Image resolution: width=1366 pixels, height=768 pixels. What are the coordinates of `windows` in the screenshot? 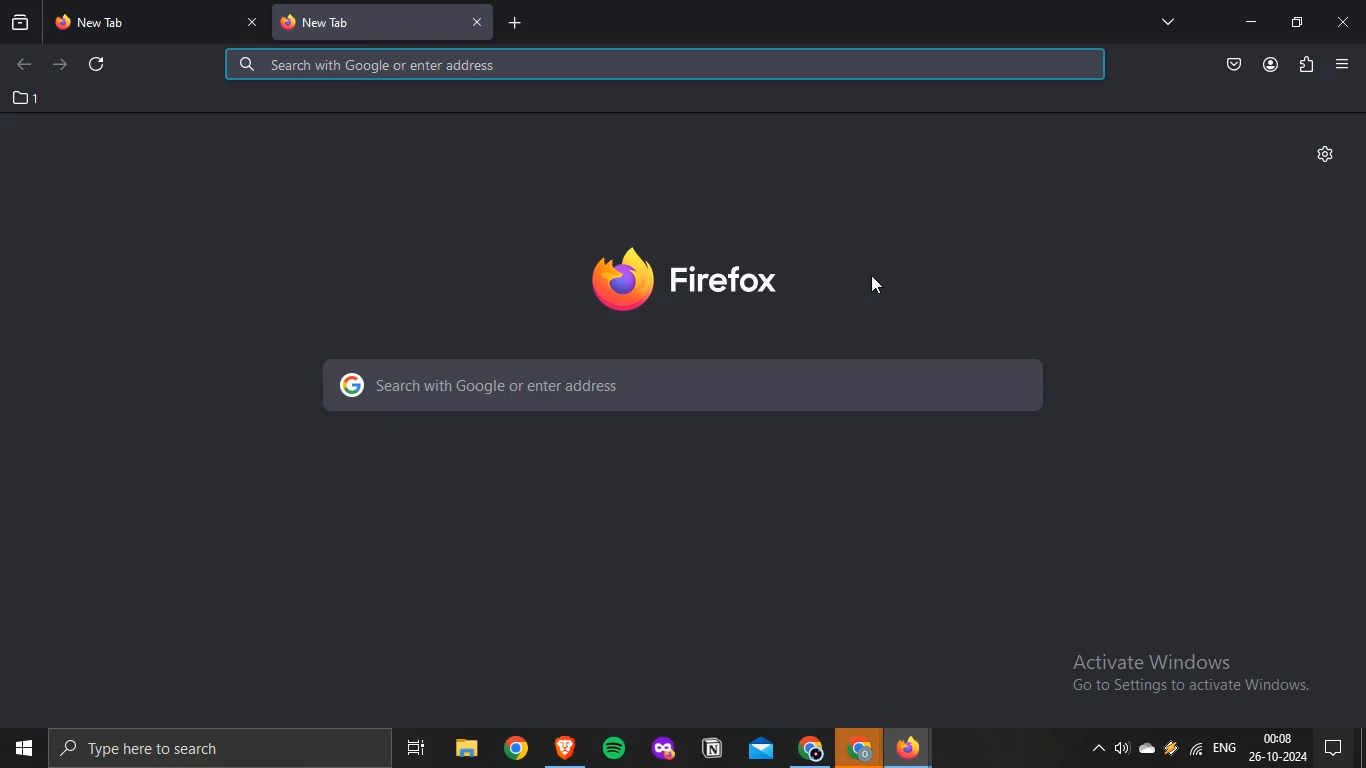 It's located at (22, 747).